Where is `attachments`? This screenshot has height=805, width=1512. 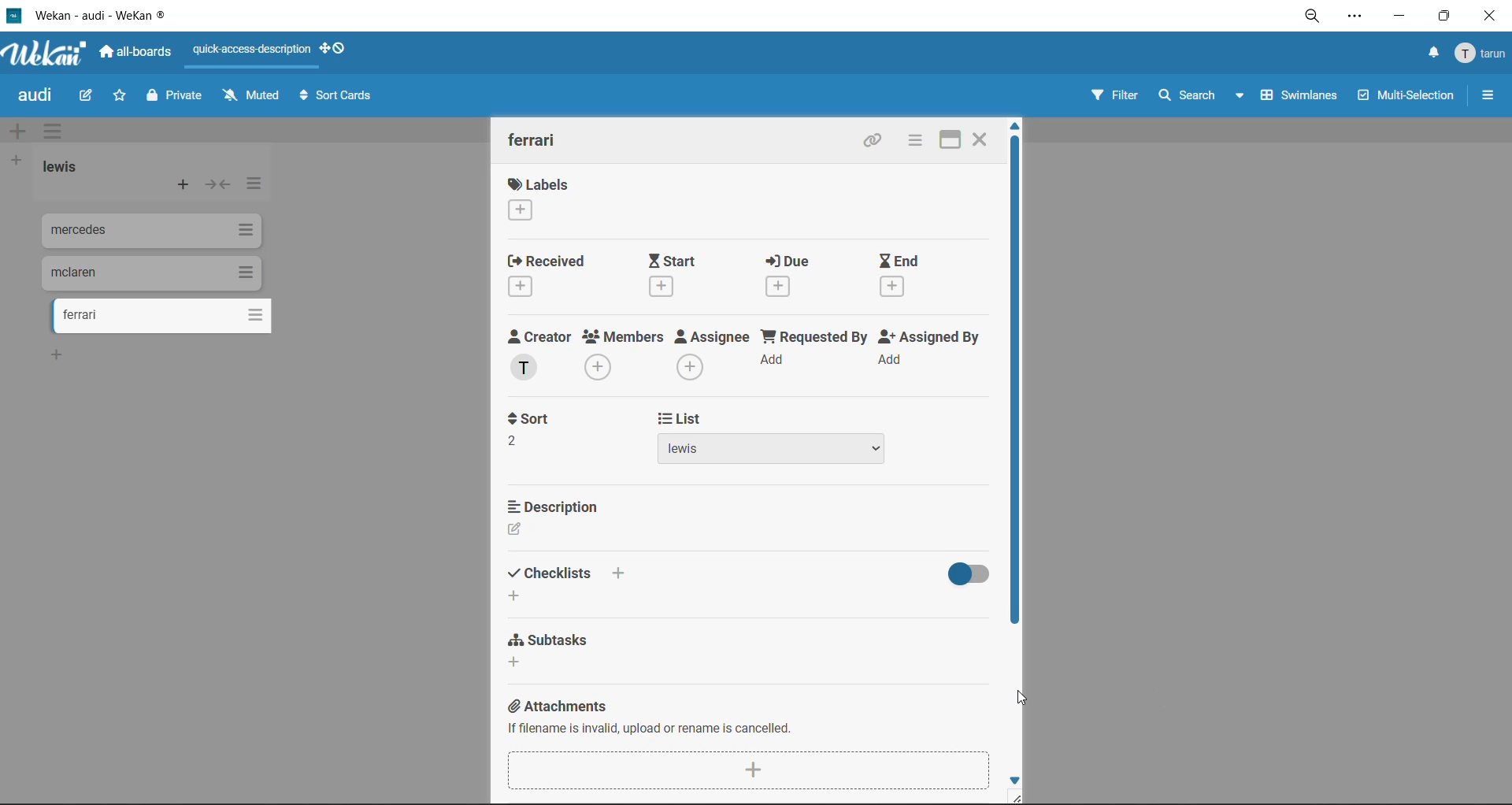
attachments is located at coordinates (749, 744).